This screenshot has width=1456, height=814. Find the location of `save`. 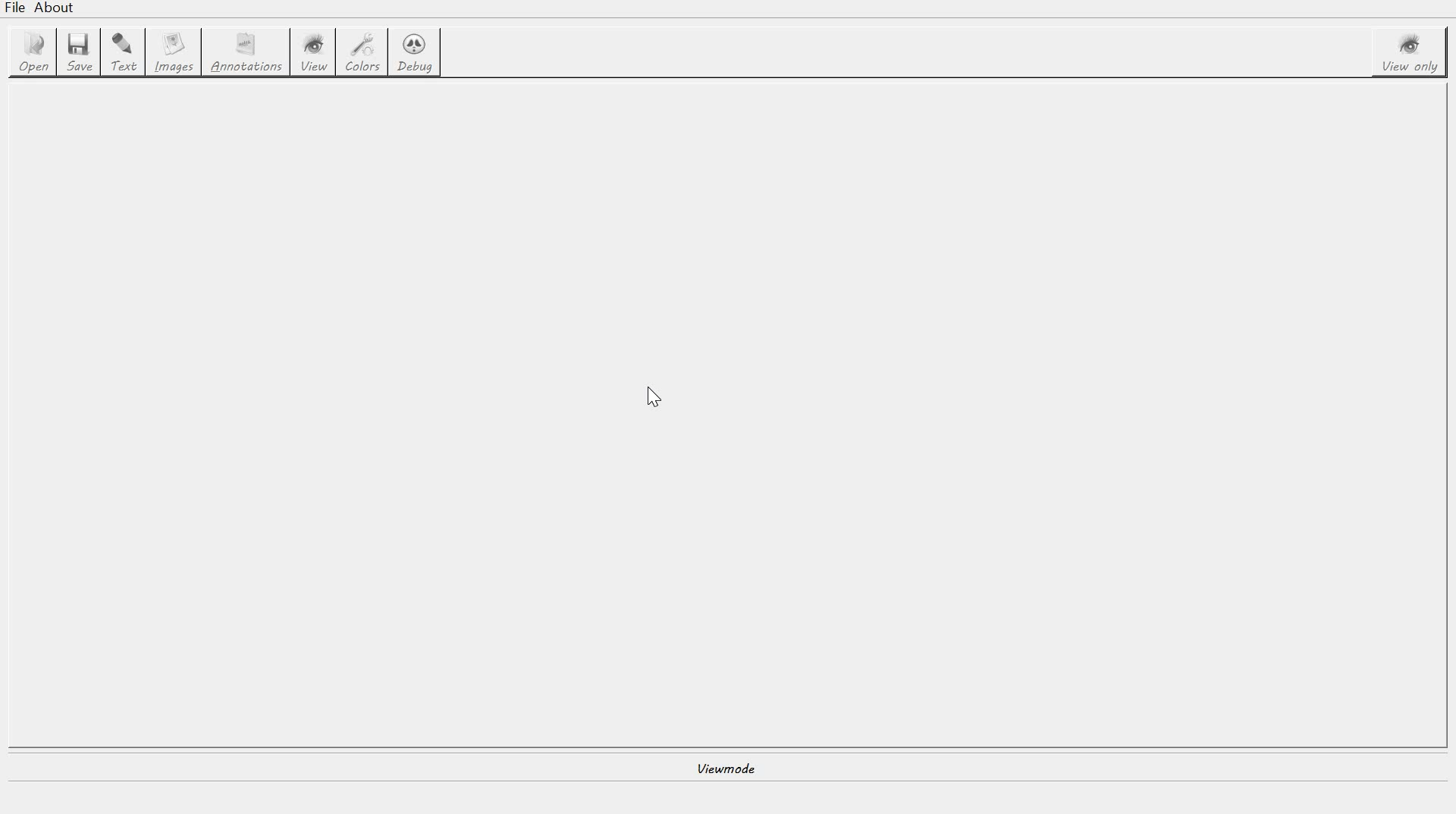

save is located at coordinates (78, 54).